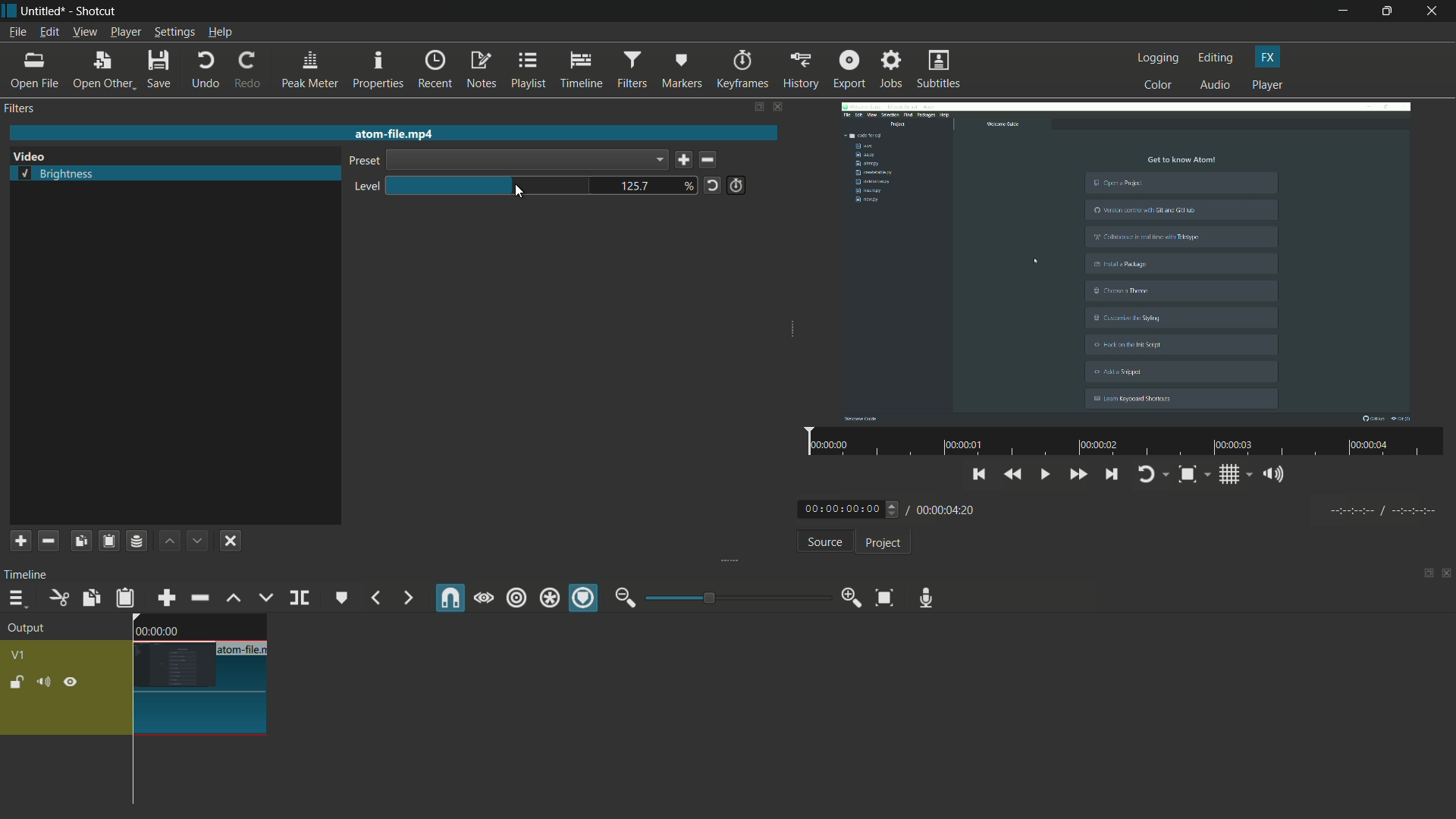 This screenshot has width=1456, height=819. Describe the element at coordinates (585, 599) in the screenshot. I see `ripple markers` at that location.